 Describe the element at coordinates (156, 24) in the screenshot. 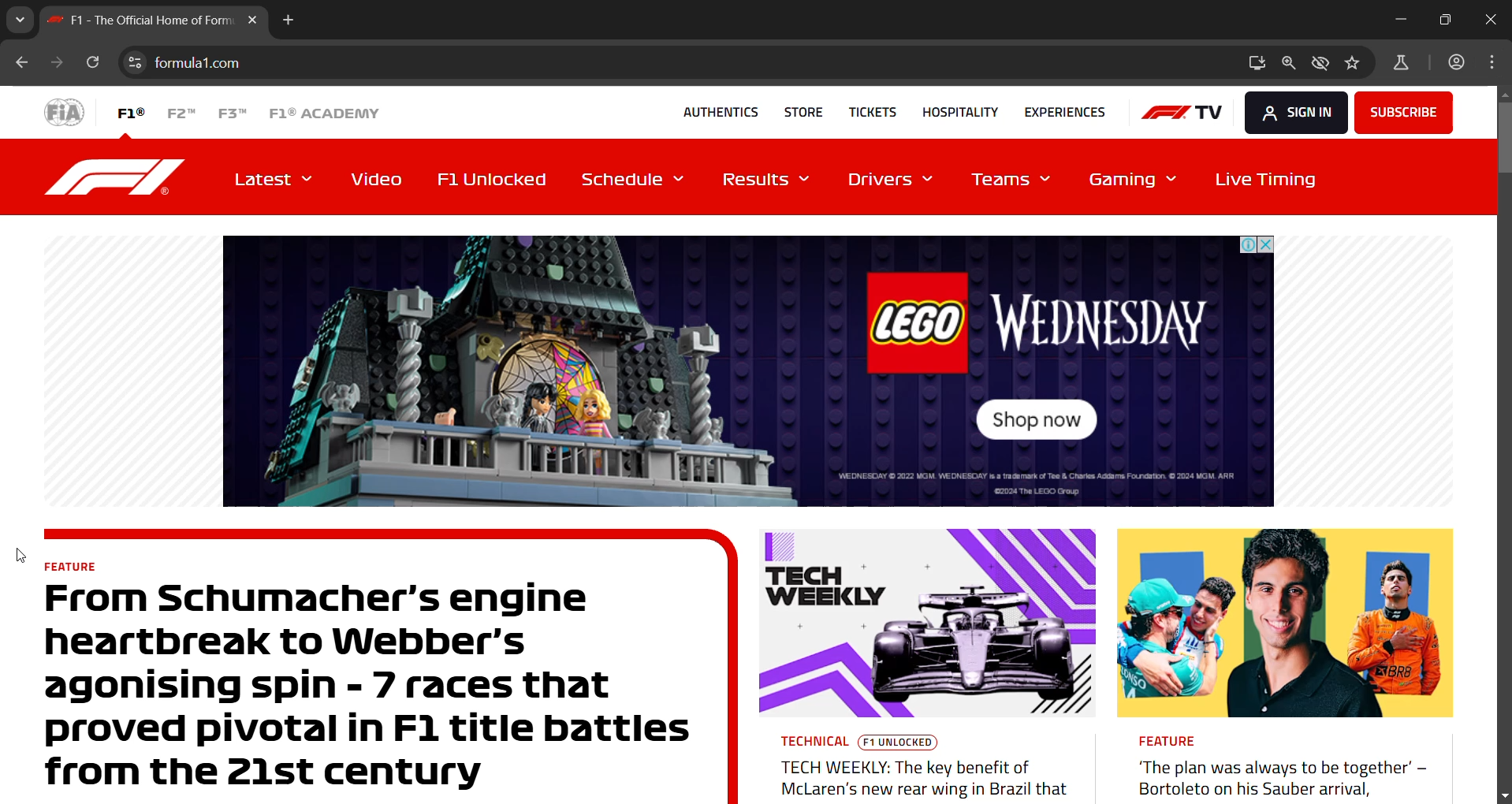

I see `f1 the official home of form ` at that location.